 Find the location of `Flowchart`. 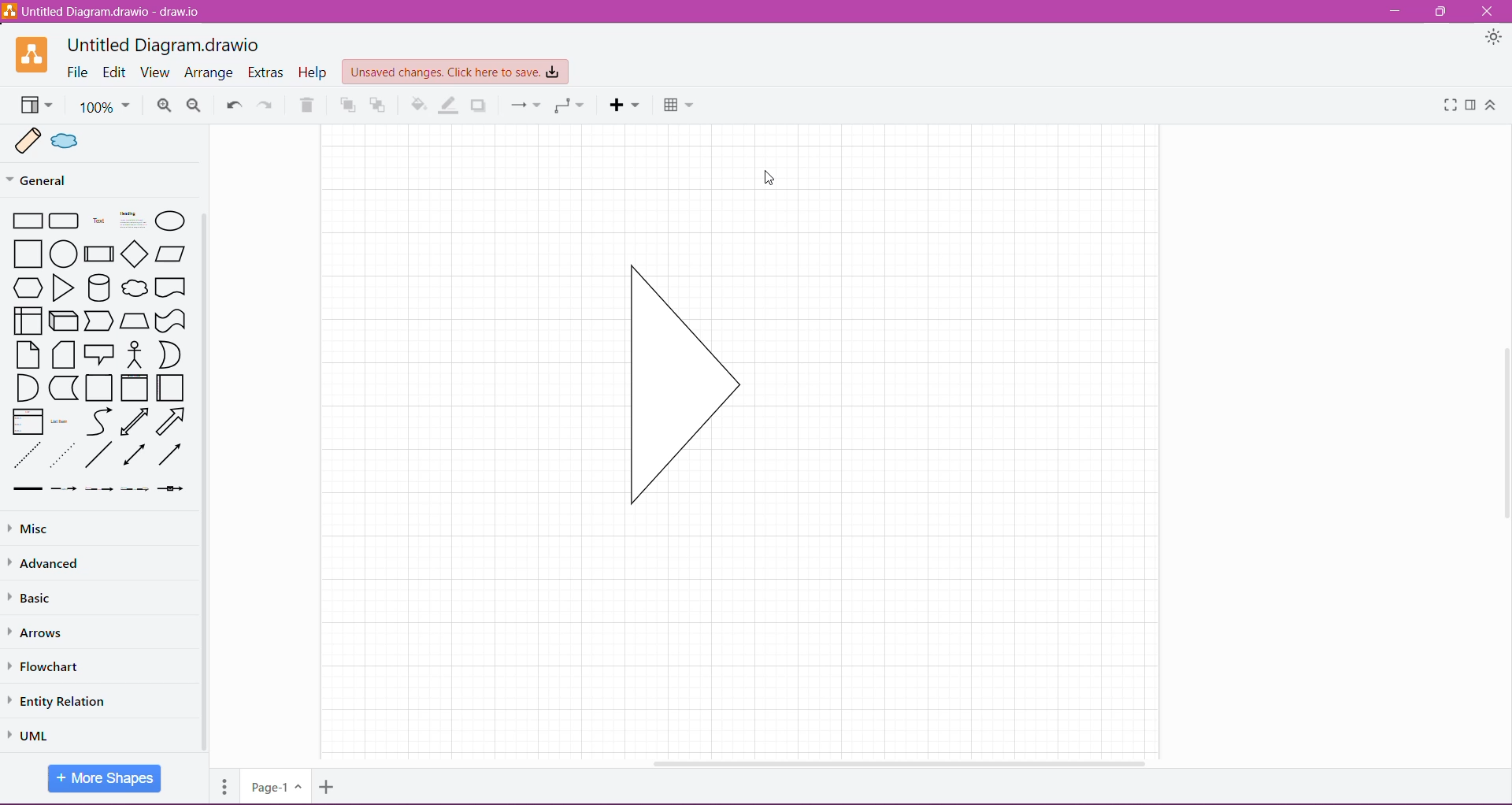

Flowchart is located at coordinates (45, 667).